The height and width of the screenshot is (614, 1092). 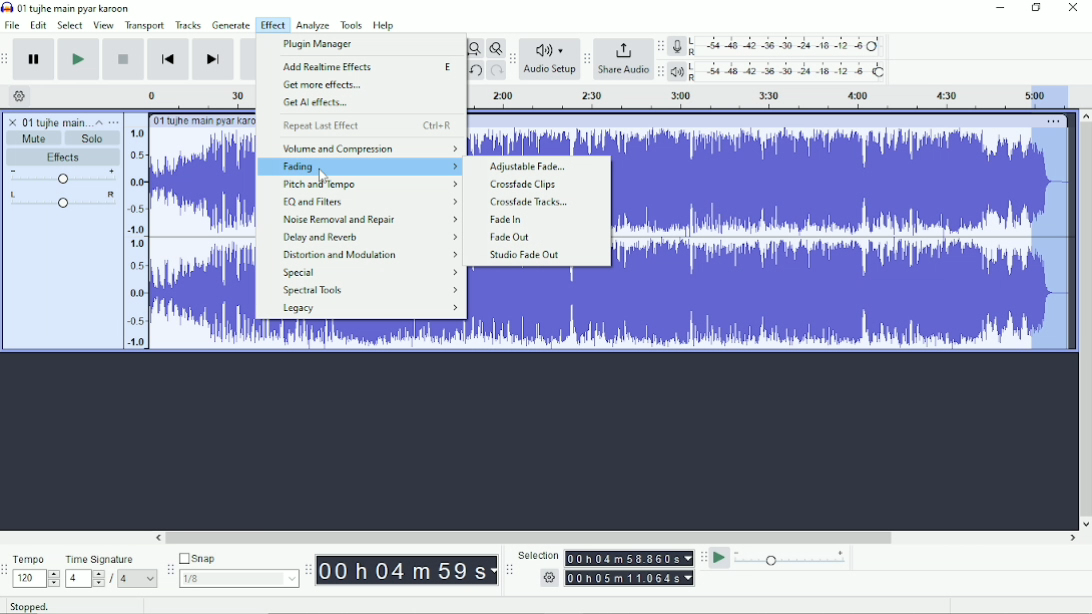 I want to click on Effects, so click(x=63, y=157).